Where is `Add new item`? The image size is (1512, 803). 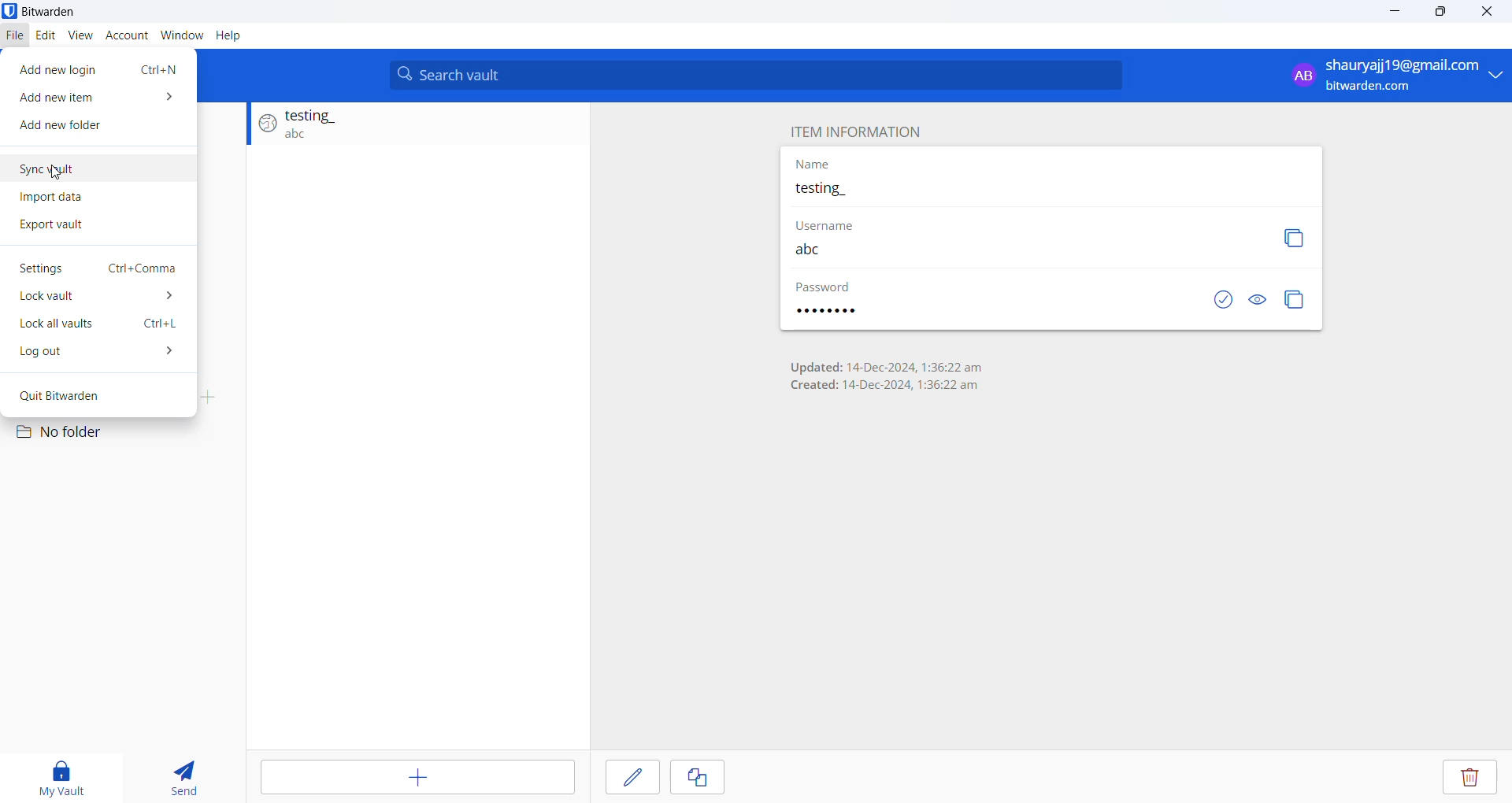
Add new item is located at coordinates (98, 99).